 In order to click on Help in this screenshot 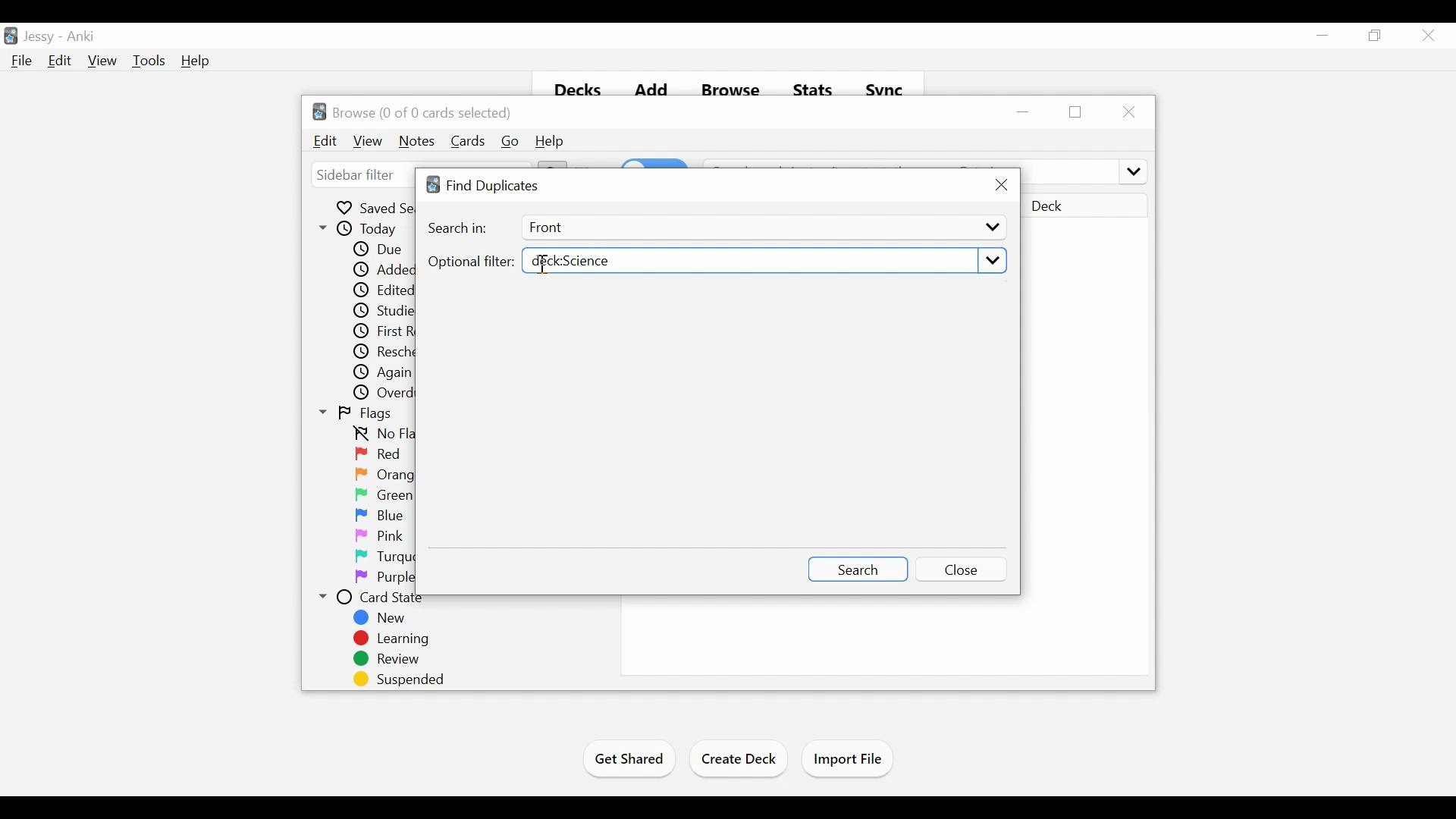, I will do `click(550, 142)`.